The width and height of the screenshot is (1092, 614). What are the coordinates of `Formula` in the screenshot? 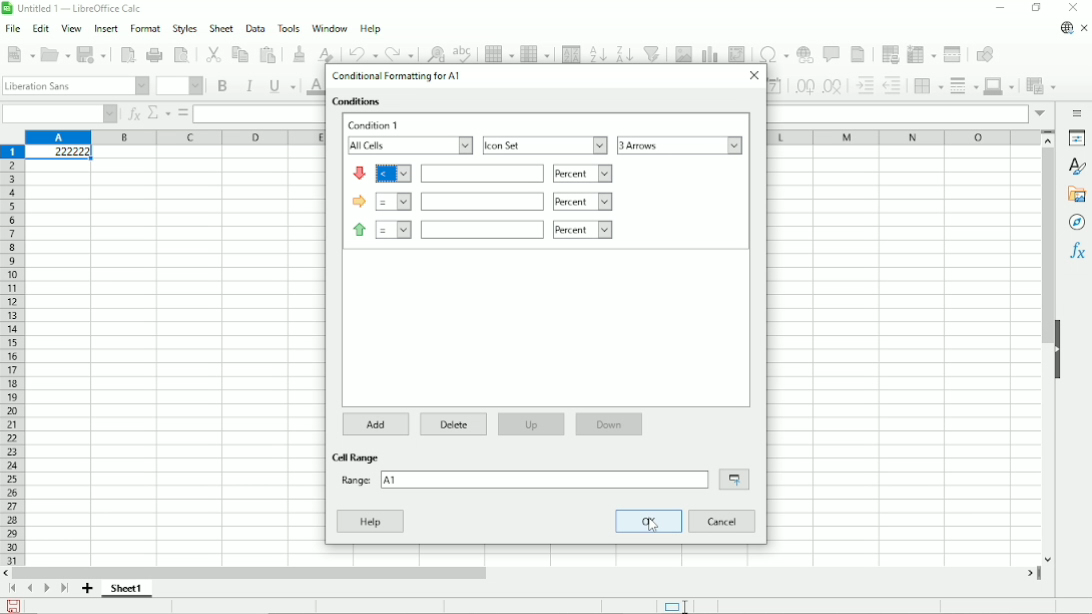 It's located at (183, 113).